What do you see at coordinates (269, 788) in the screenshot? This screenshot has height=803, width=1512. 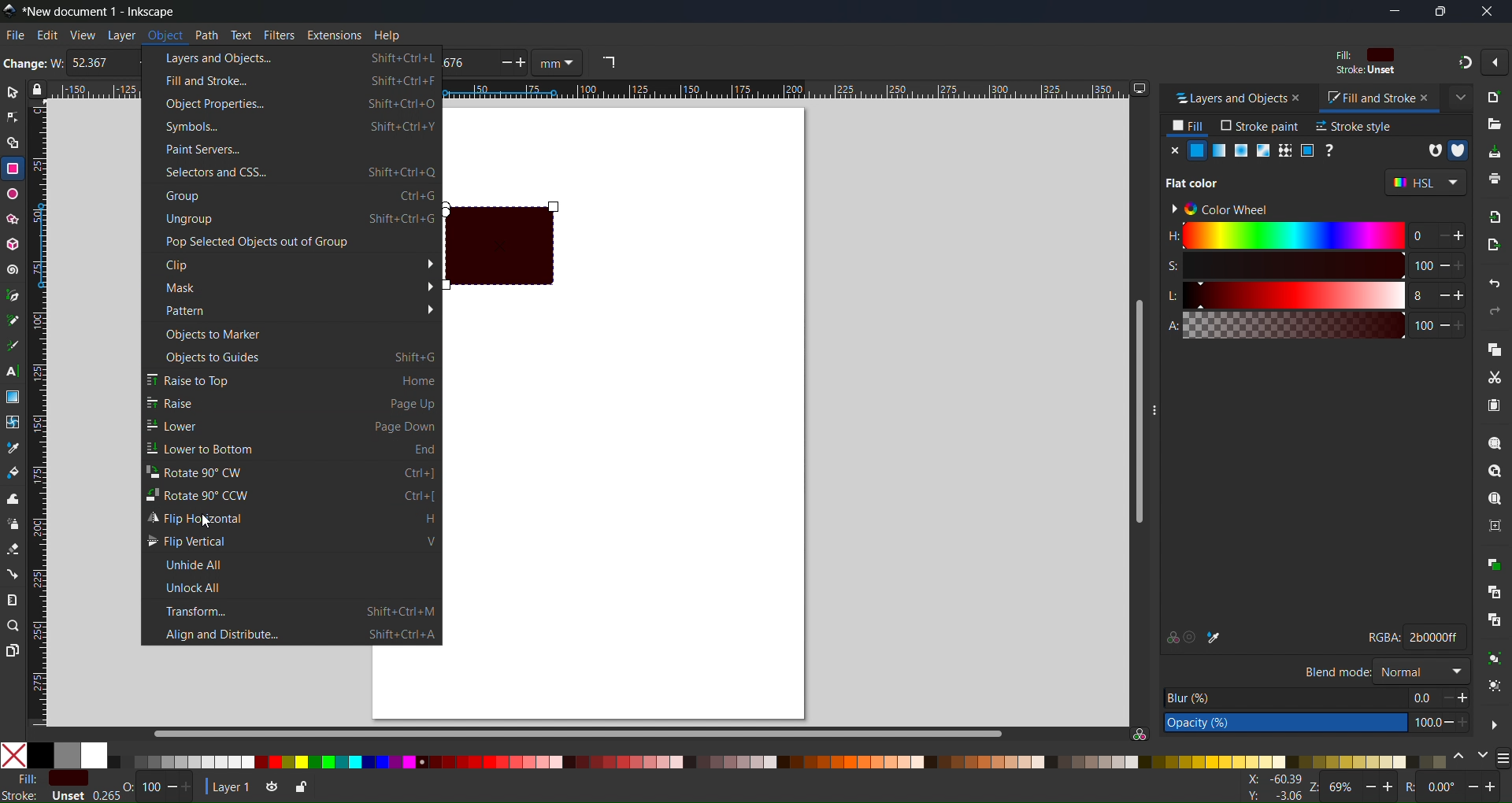 I see `Toggle current layer visibility` at bounding box center [269, 788].